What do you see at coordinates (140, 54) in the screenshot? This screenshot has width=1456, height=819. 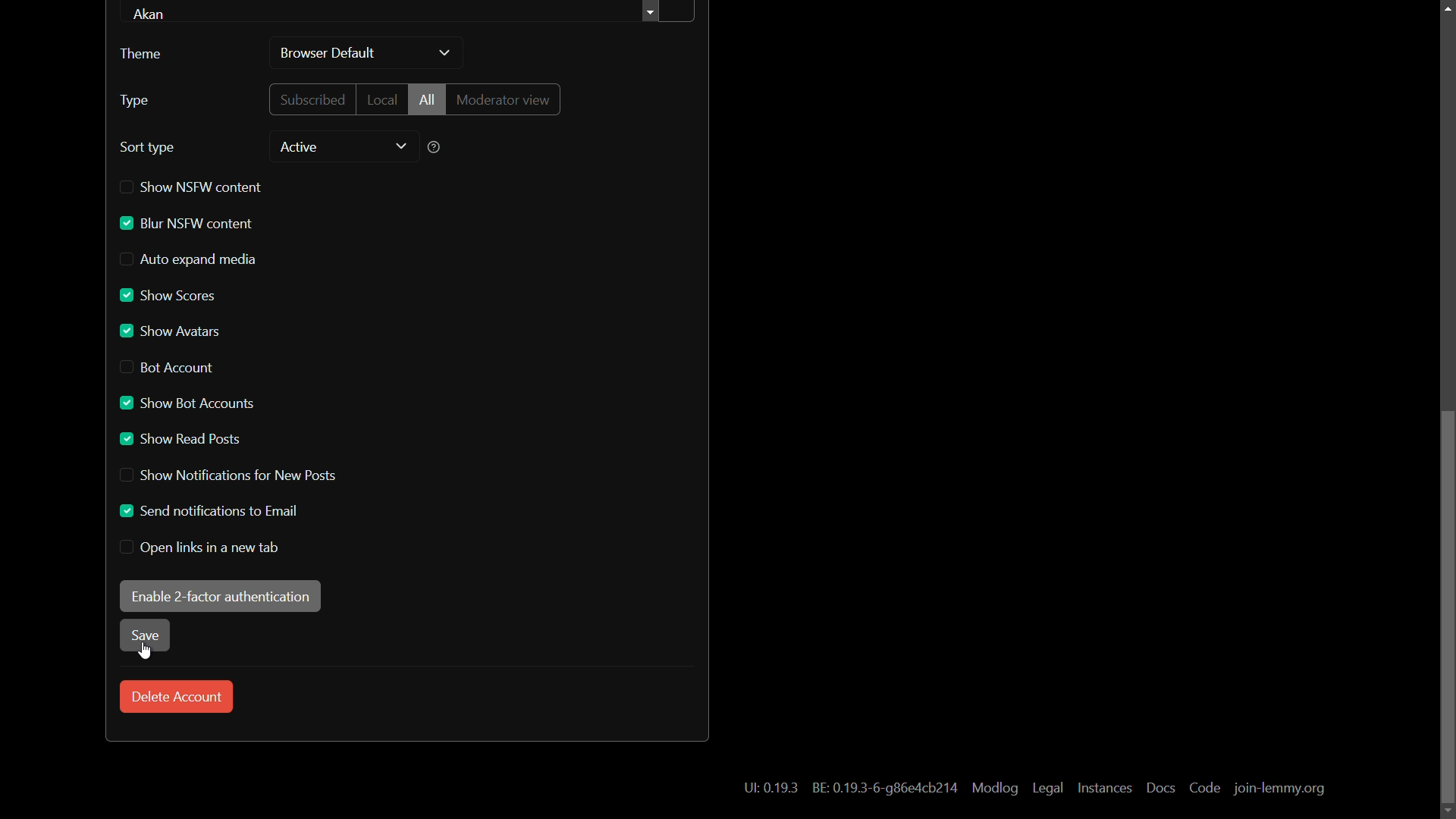 I see `theme` at bounding box center [140, 54].